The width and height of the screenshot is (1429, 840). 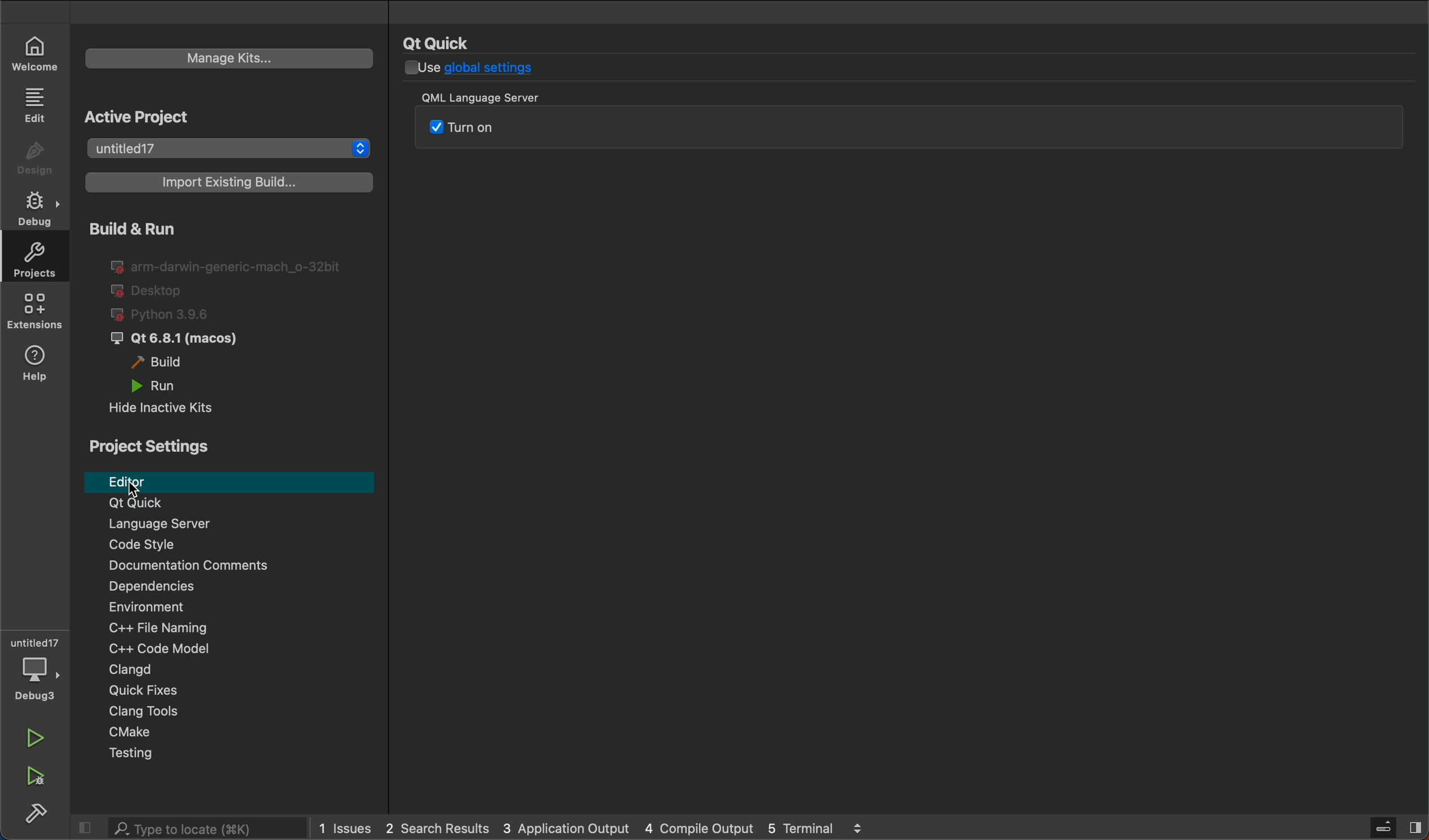 I want to click on language server, so click(x=216, y=525).